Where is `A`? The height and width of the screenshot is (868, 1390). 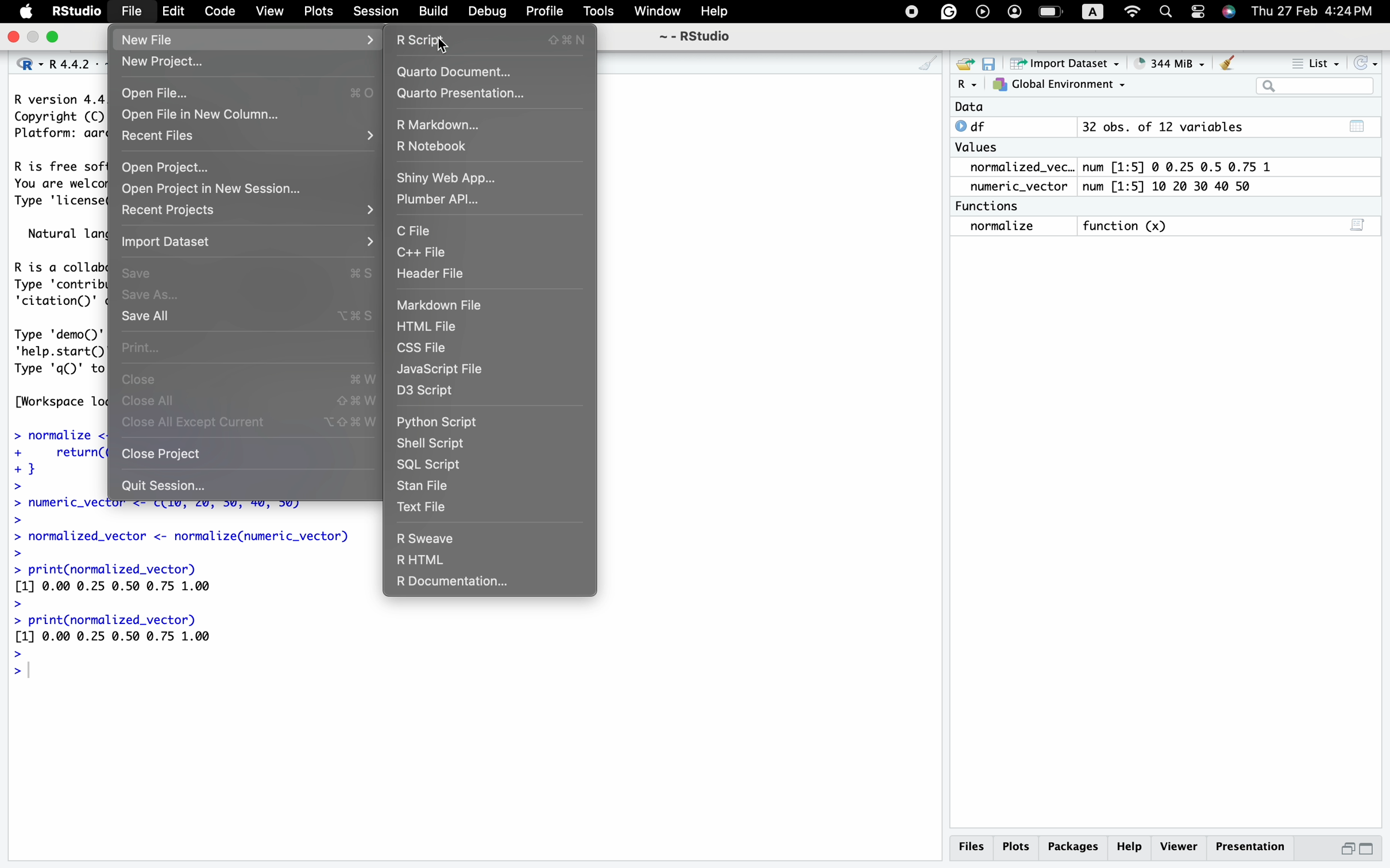
A is located at coordinates (1097, 10).